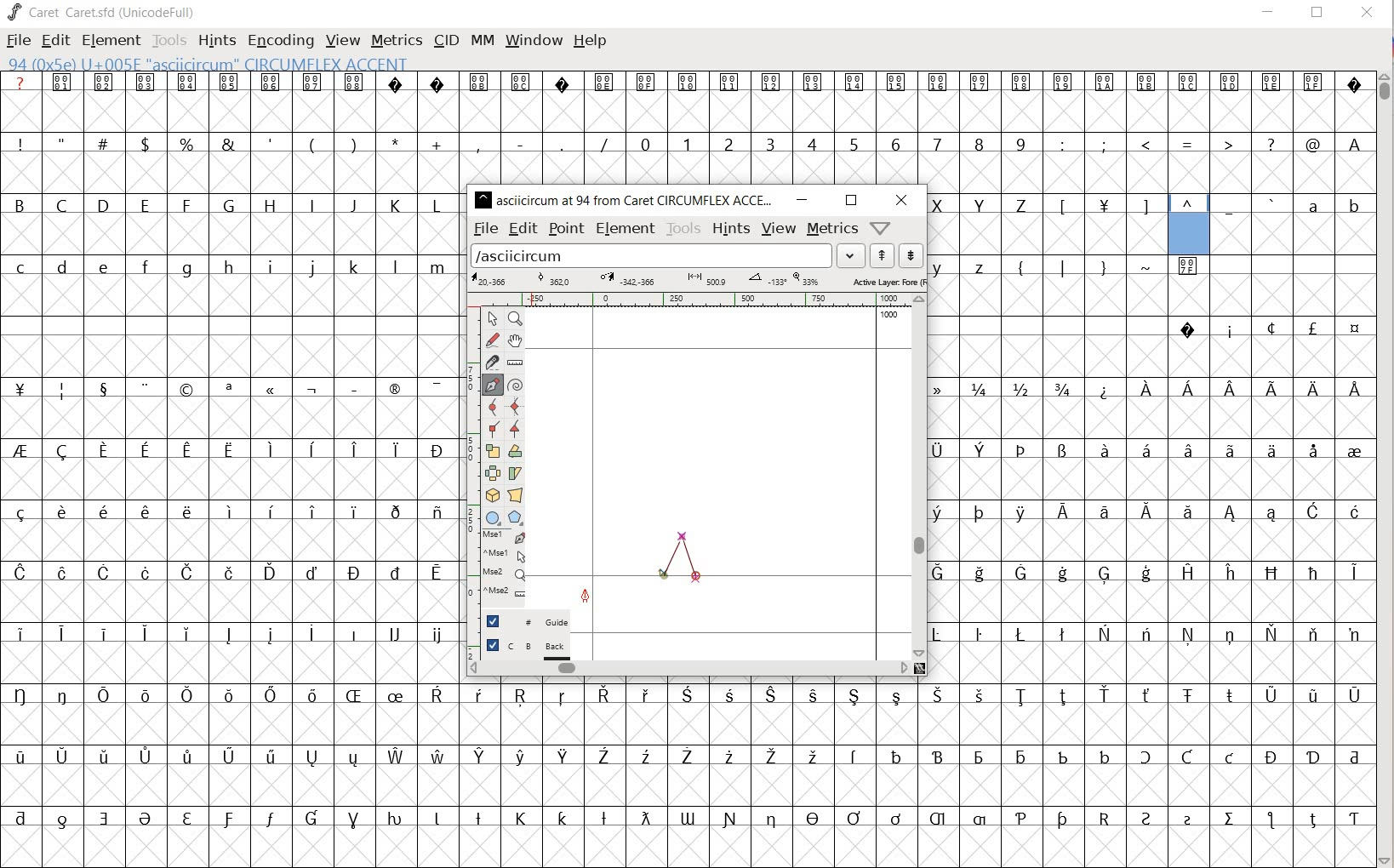  What do you see at coordinates (732, 229) in the screenshot?
I see `hints` at bounding box center [732, 229].